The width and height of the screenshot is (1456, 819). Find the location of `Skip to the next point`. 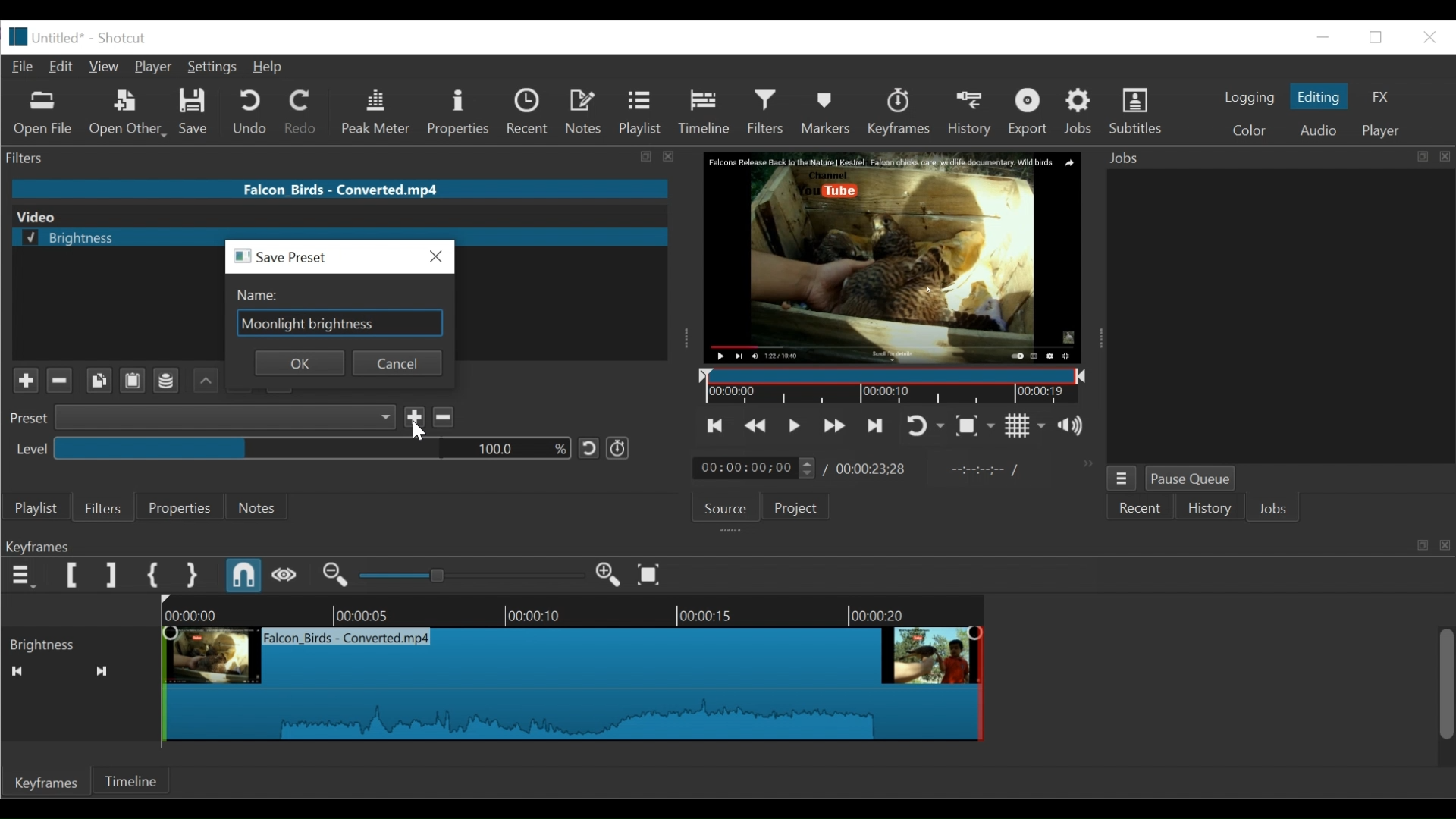

Skip to the next point is located at coordinates (872, 427).